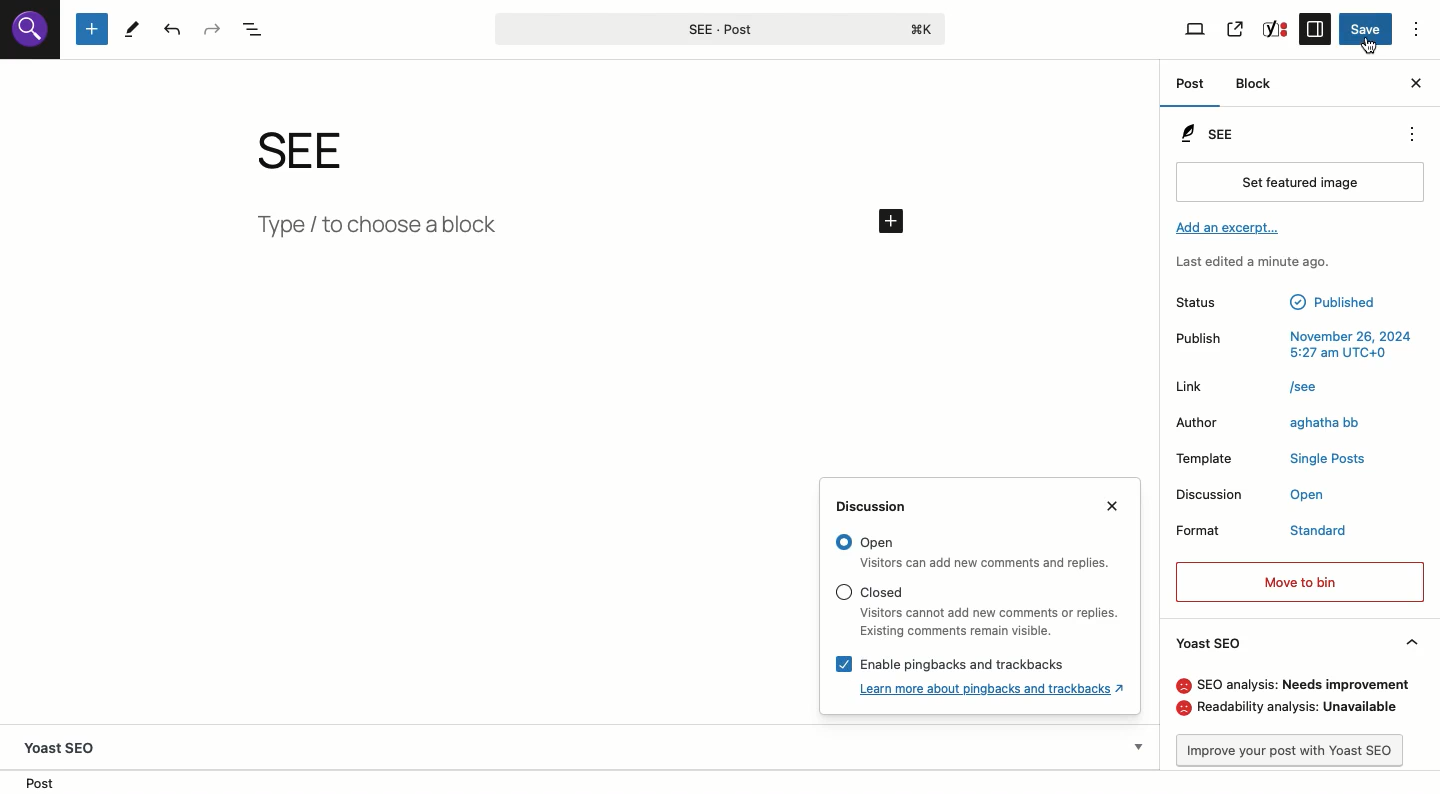 This screenshot has width=1440, height=794. I want to click on Format standard, so click(1264, 533).